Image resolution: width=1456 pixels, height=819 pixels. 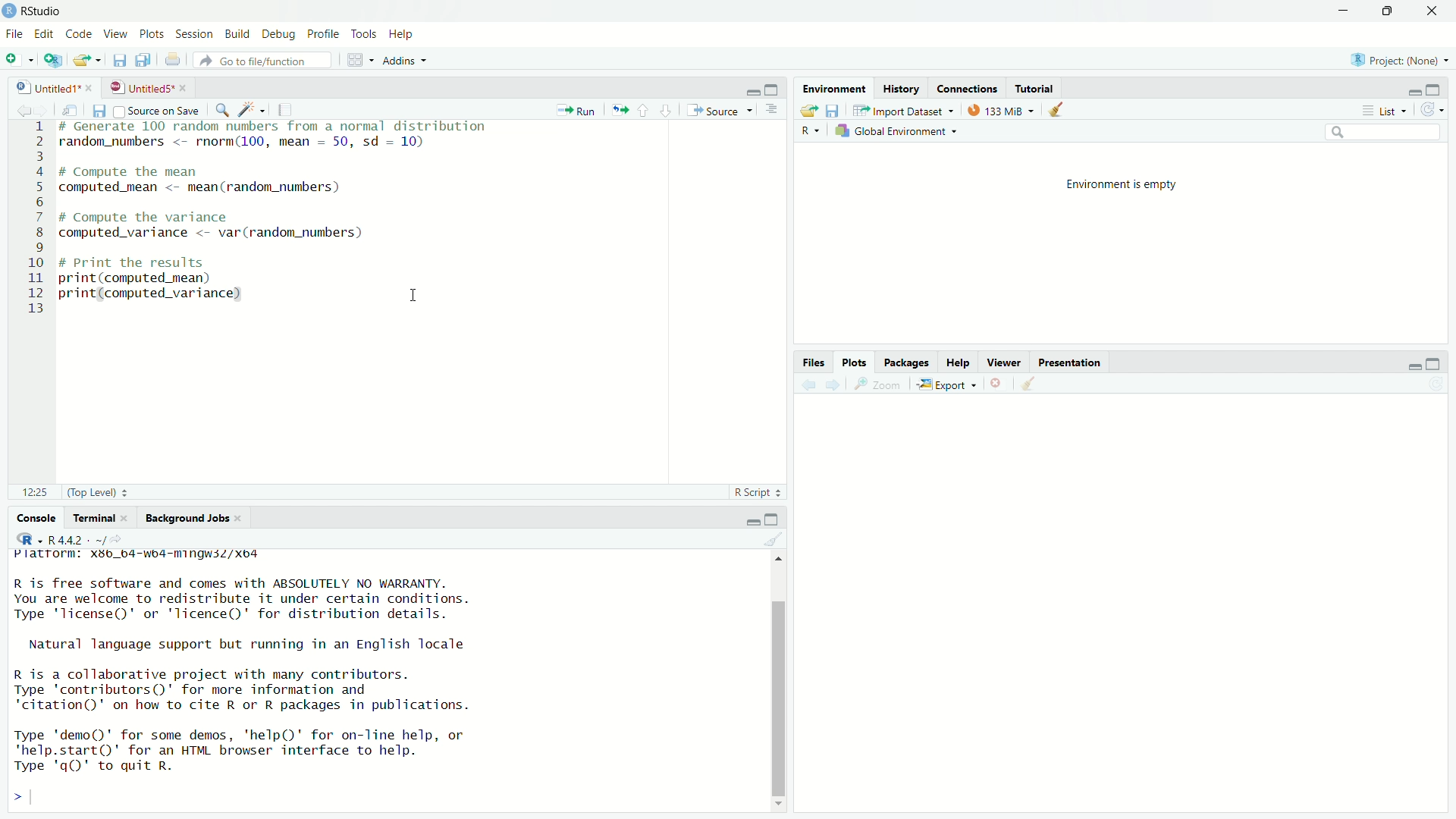 I want to click on show in new window, so click(x=71, y=108).